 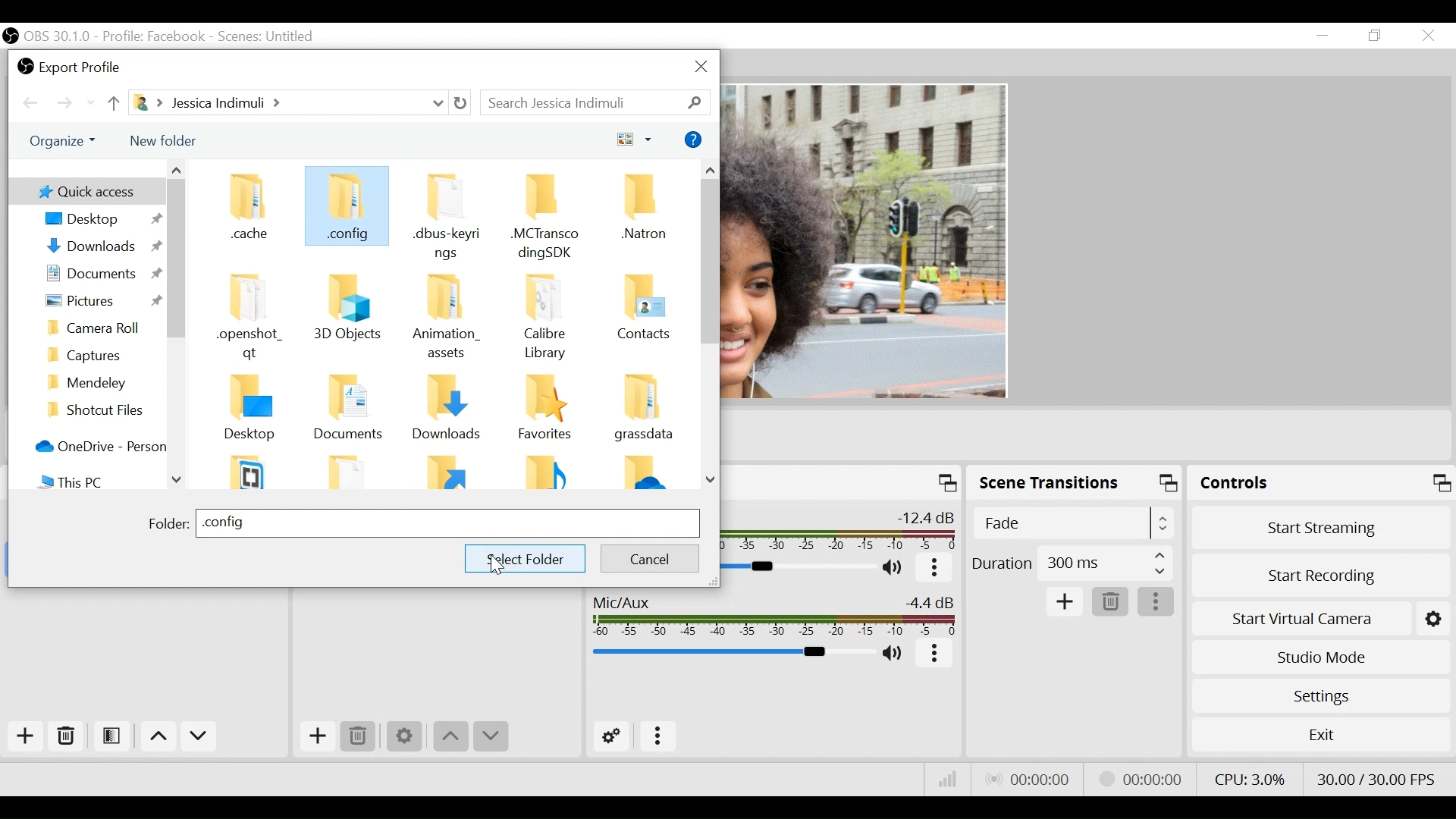 I want to click on Folder, so click(x=447, y=216).